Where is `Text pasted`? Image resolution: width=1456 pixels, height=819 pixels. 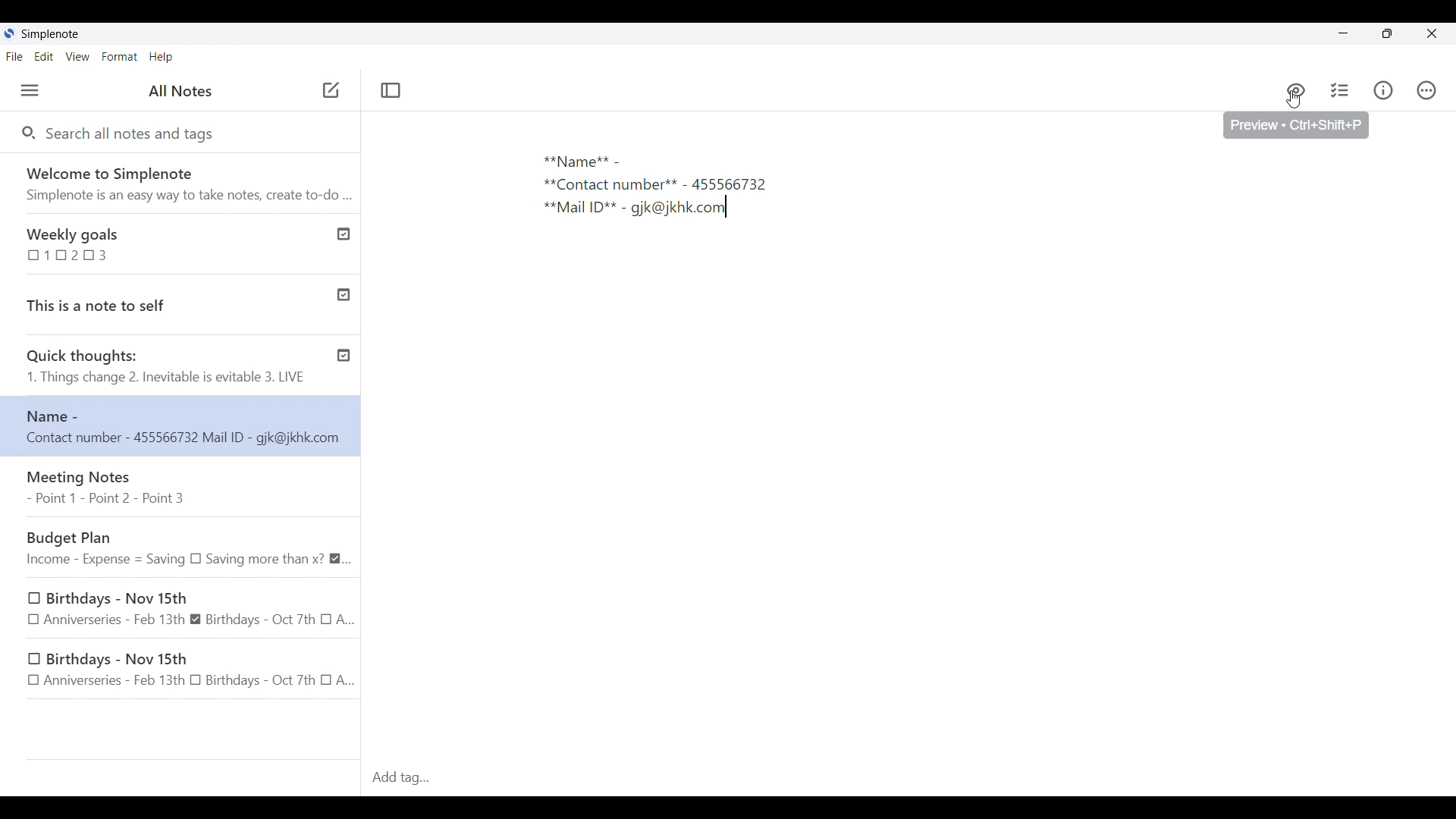 Text pasted is located at coordinates (688, 190).